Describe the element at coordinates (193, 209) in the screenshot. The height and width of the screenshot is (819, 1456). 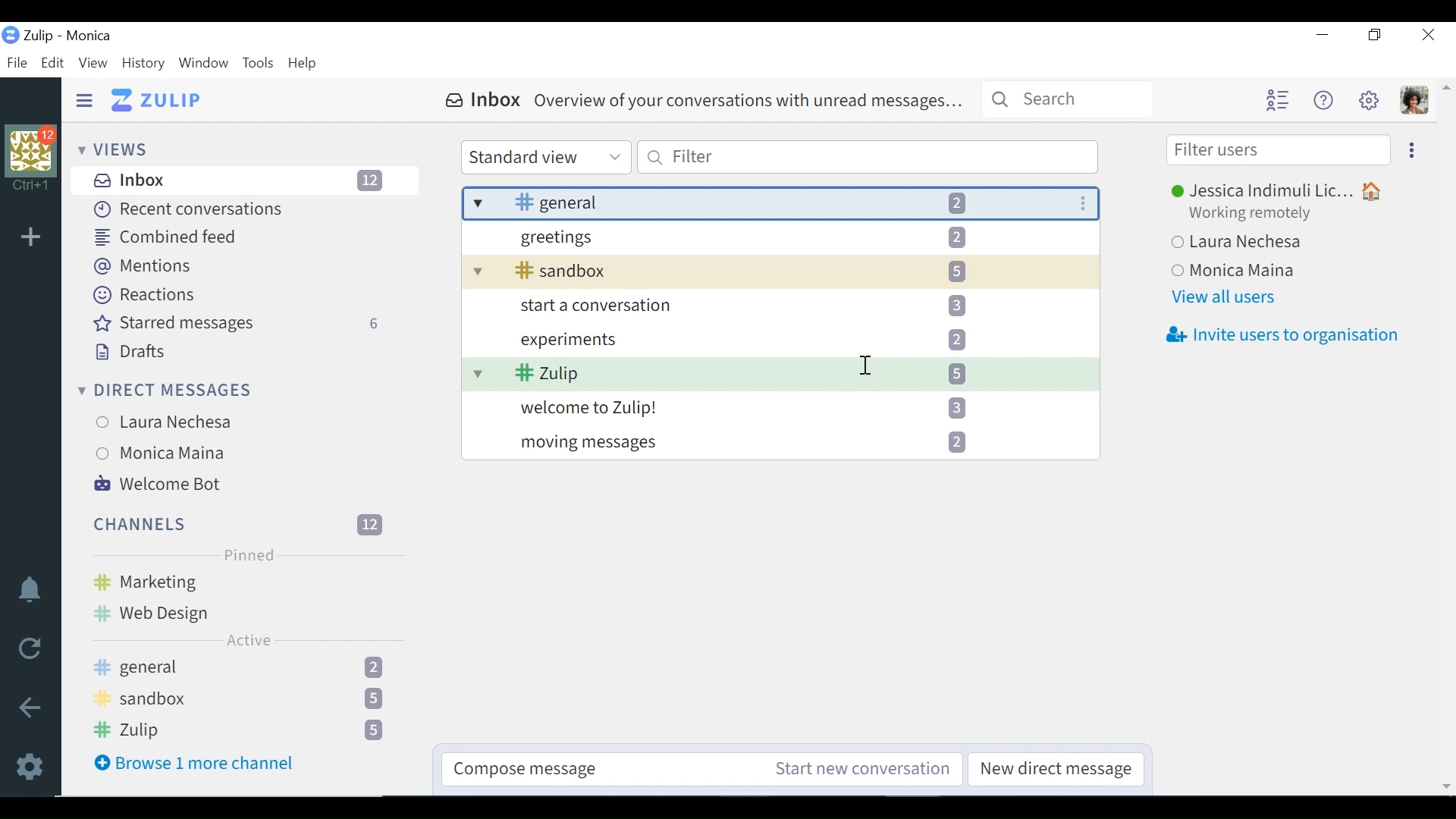
I see `Recent Conversations` at that location.